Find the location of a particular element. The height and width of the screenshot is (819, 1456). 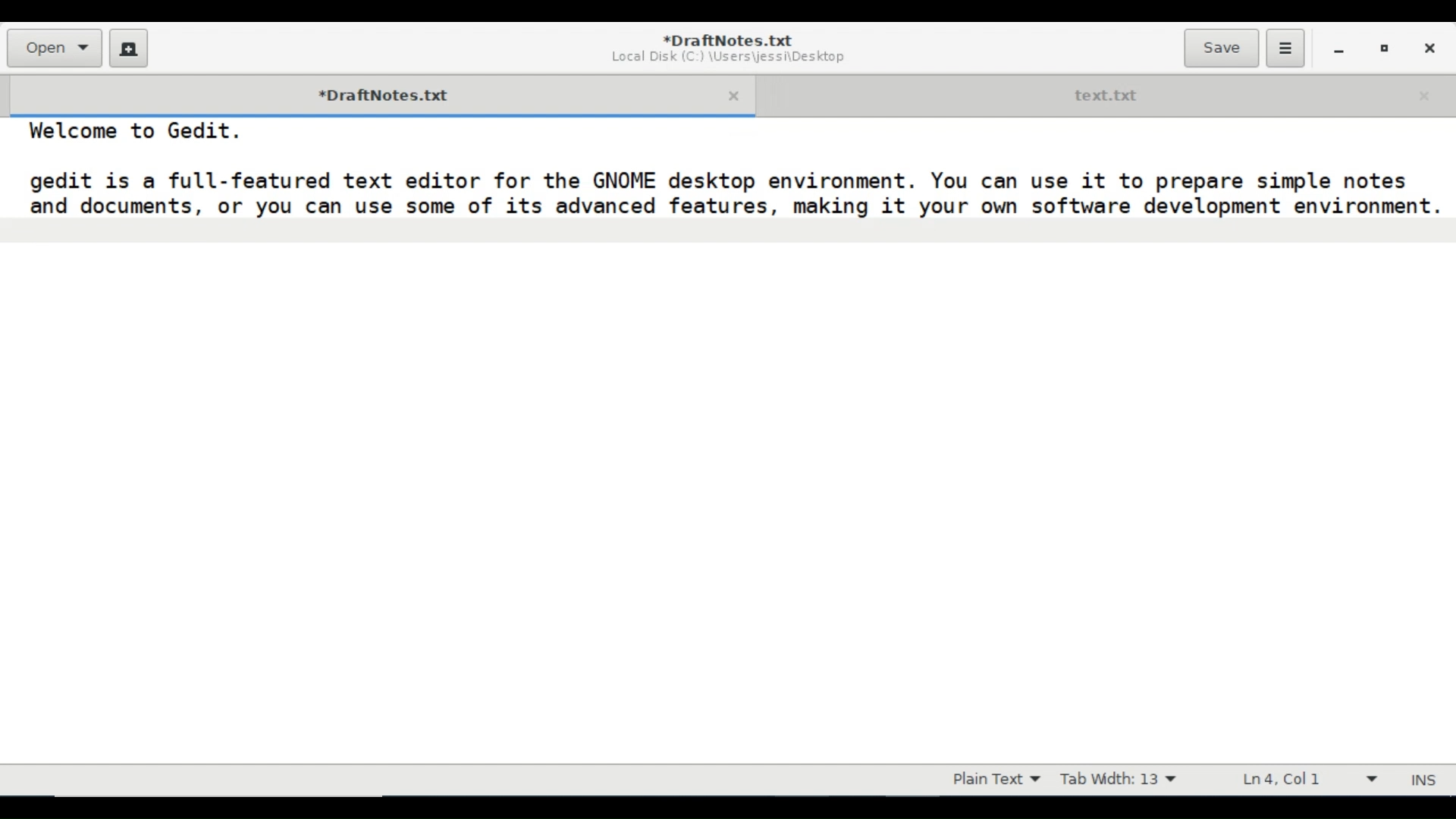

Close is located at coordinates (1428, 46).